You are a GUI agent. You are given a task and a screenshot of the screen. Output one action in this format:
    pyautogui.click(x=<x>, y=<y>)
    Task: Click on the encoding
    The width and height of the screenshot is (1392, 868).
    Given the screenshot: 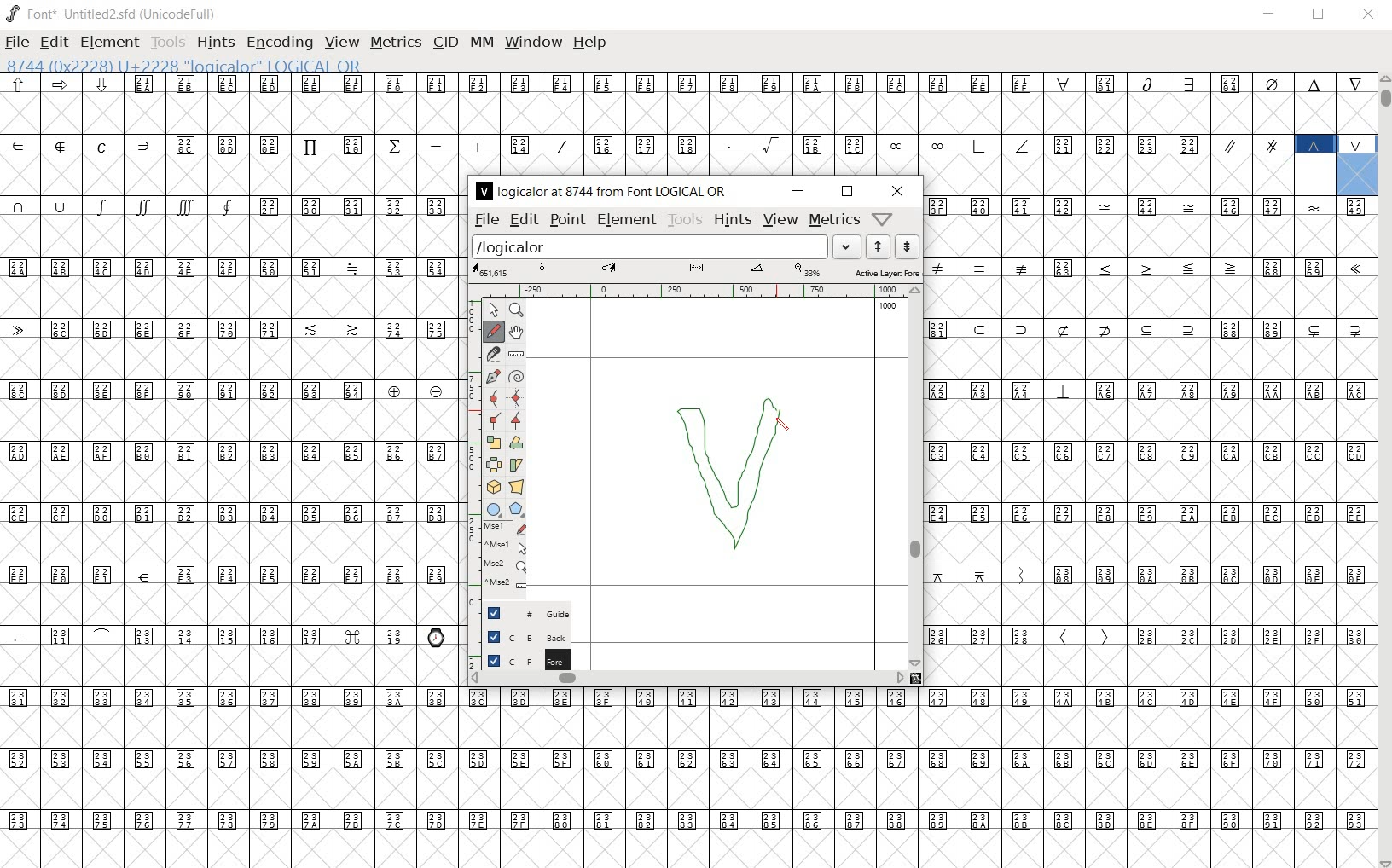 What is the action you would take?
    pyautogui.click(x=281, y=43)
    